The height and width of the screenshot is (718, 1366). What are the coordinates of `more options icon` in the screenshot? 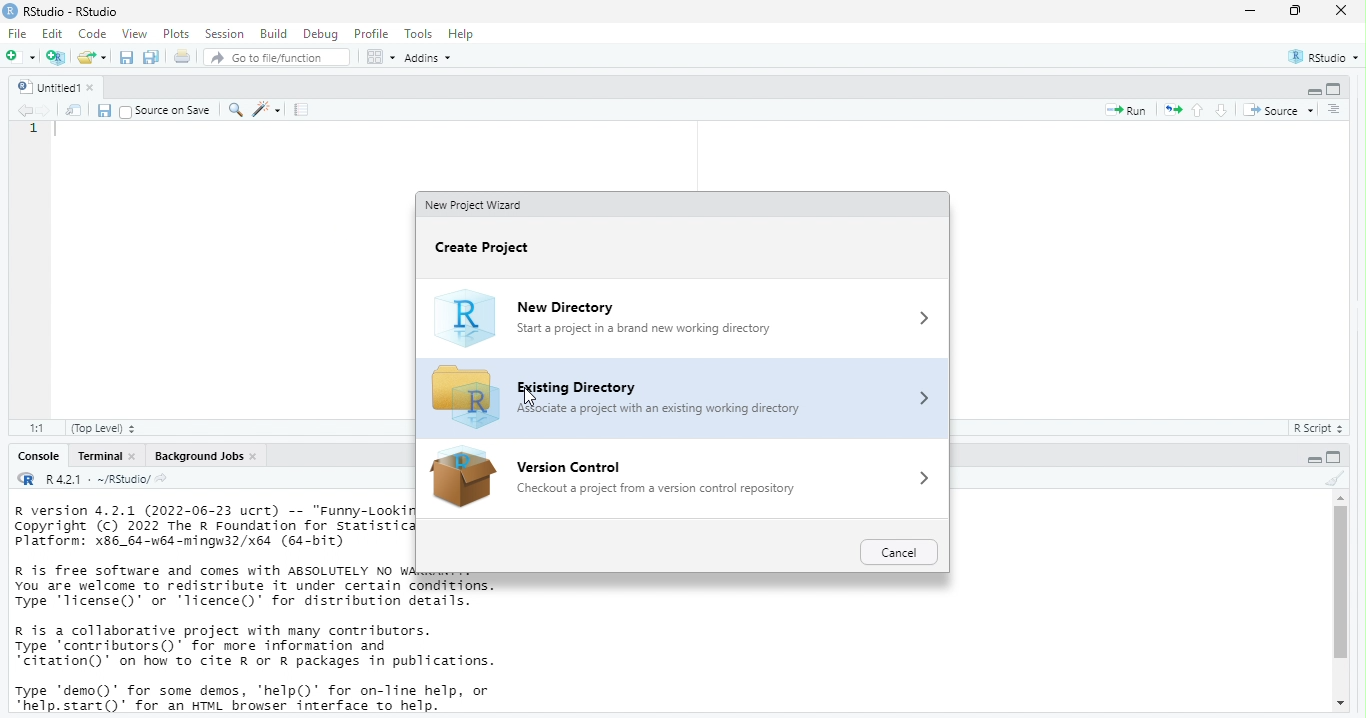 It's located at (910, 401).